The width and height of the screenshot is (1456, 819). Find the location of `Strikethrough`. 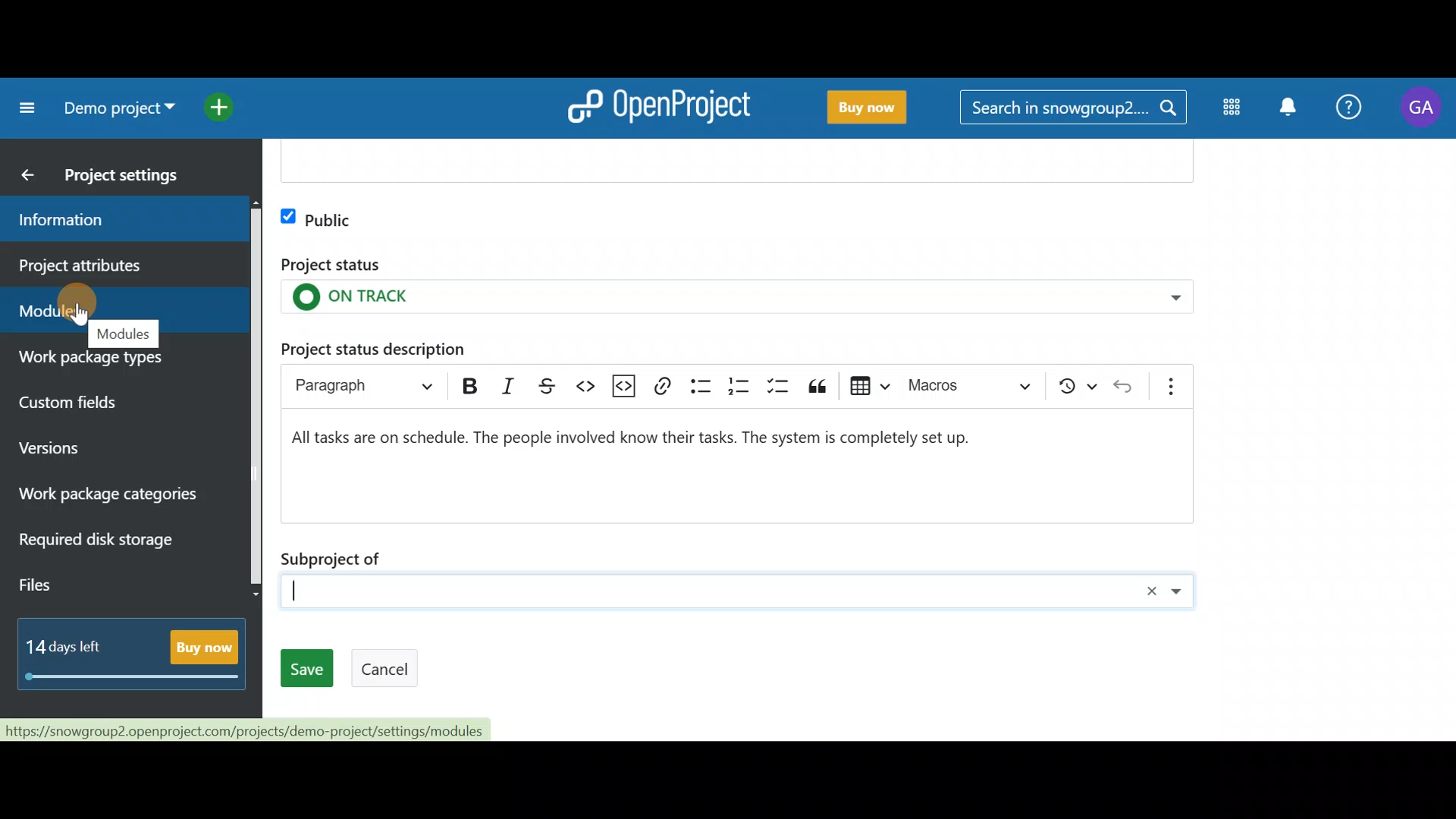

Strikethrough is located at coordinates (550, 383).